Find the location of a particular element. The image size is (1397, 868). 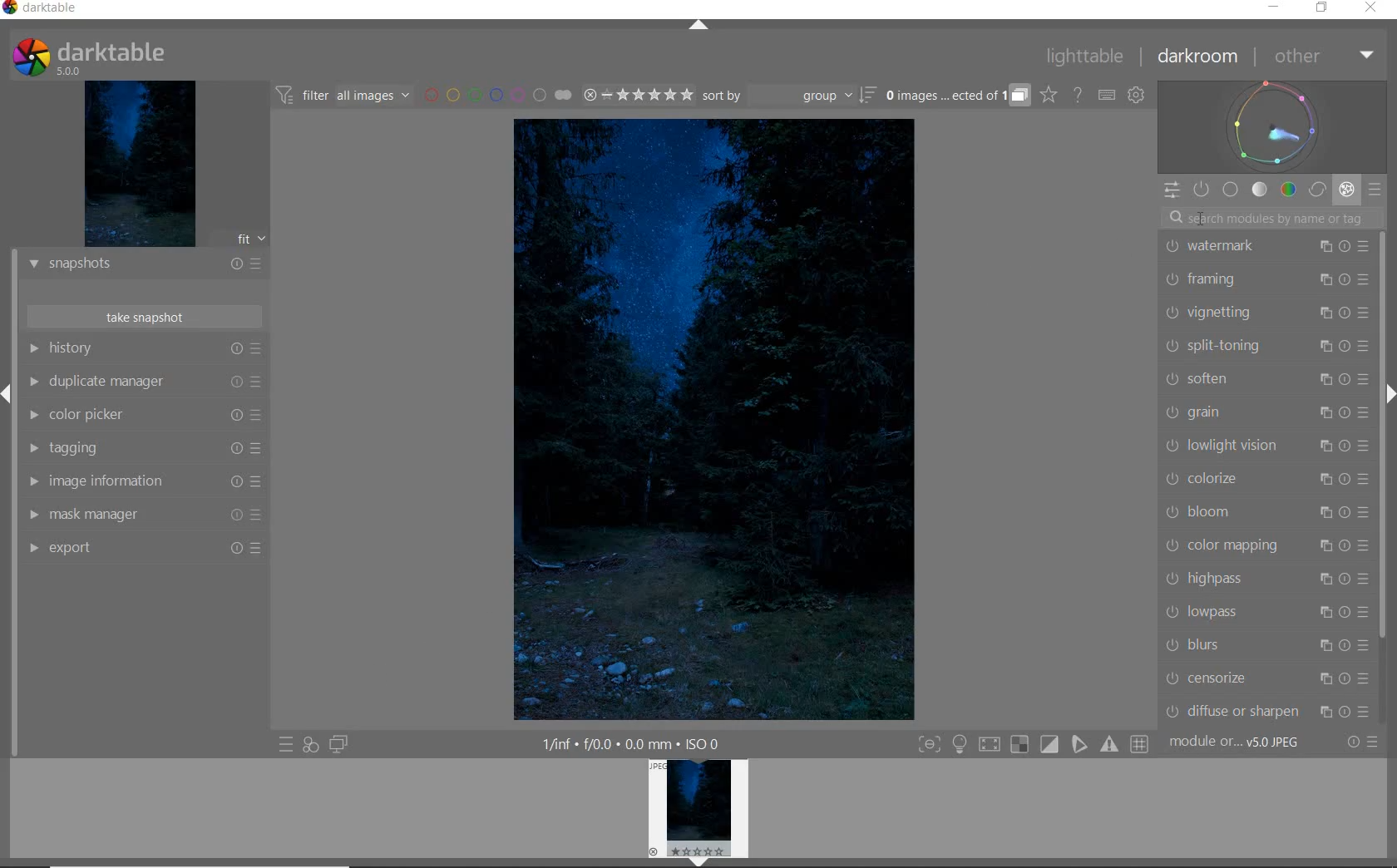

DARKROOM is located at coordinates (1197, 57).